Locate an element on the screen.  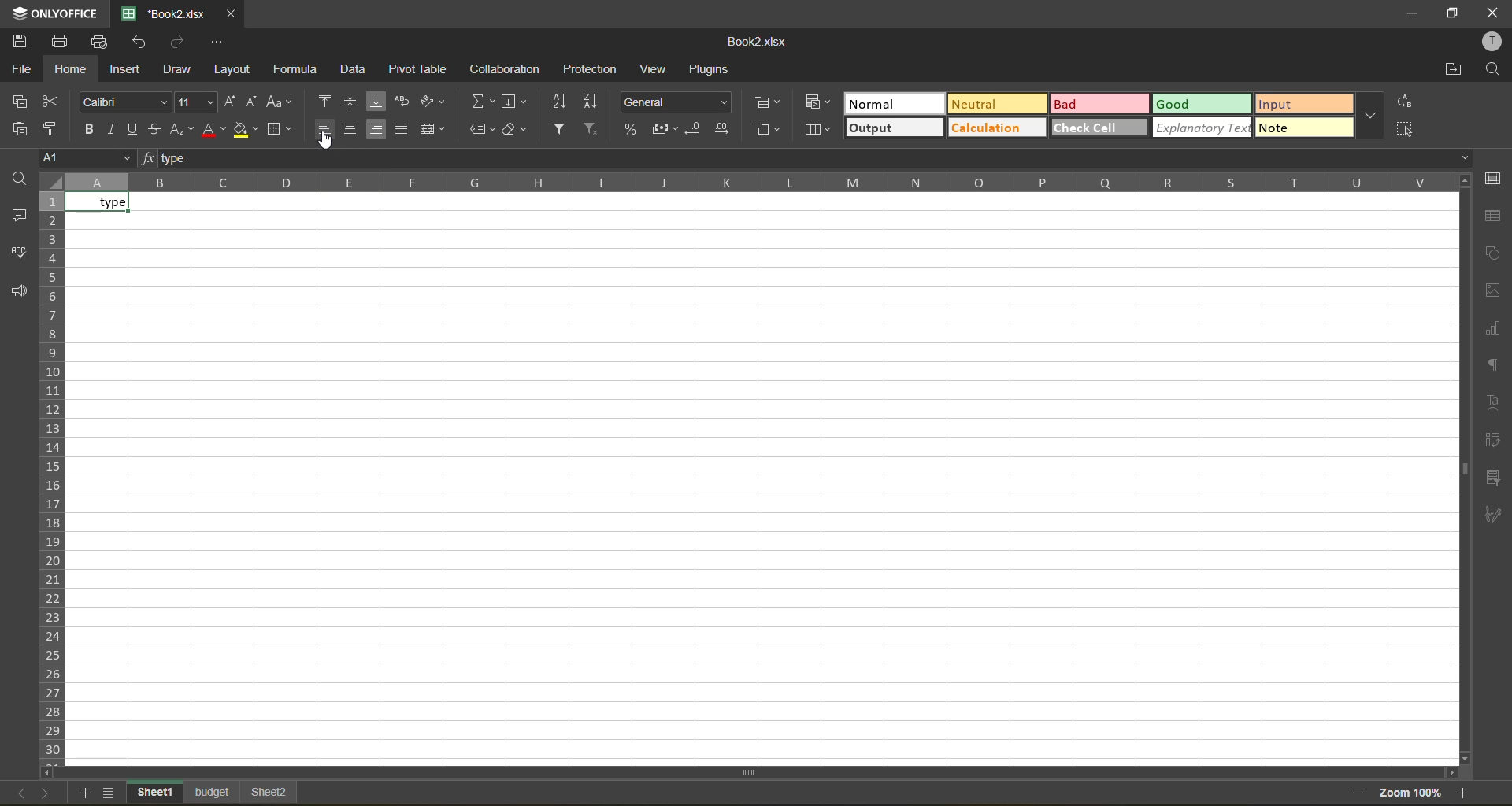
justified is located at coordinates (402, 129).